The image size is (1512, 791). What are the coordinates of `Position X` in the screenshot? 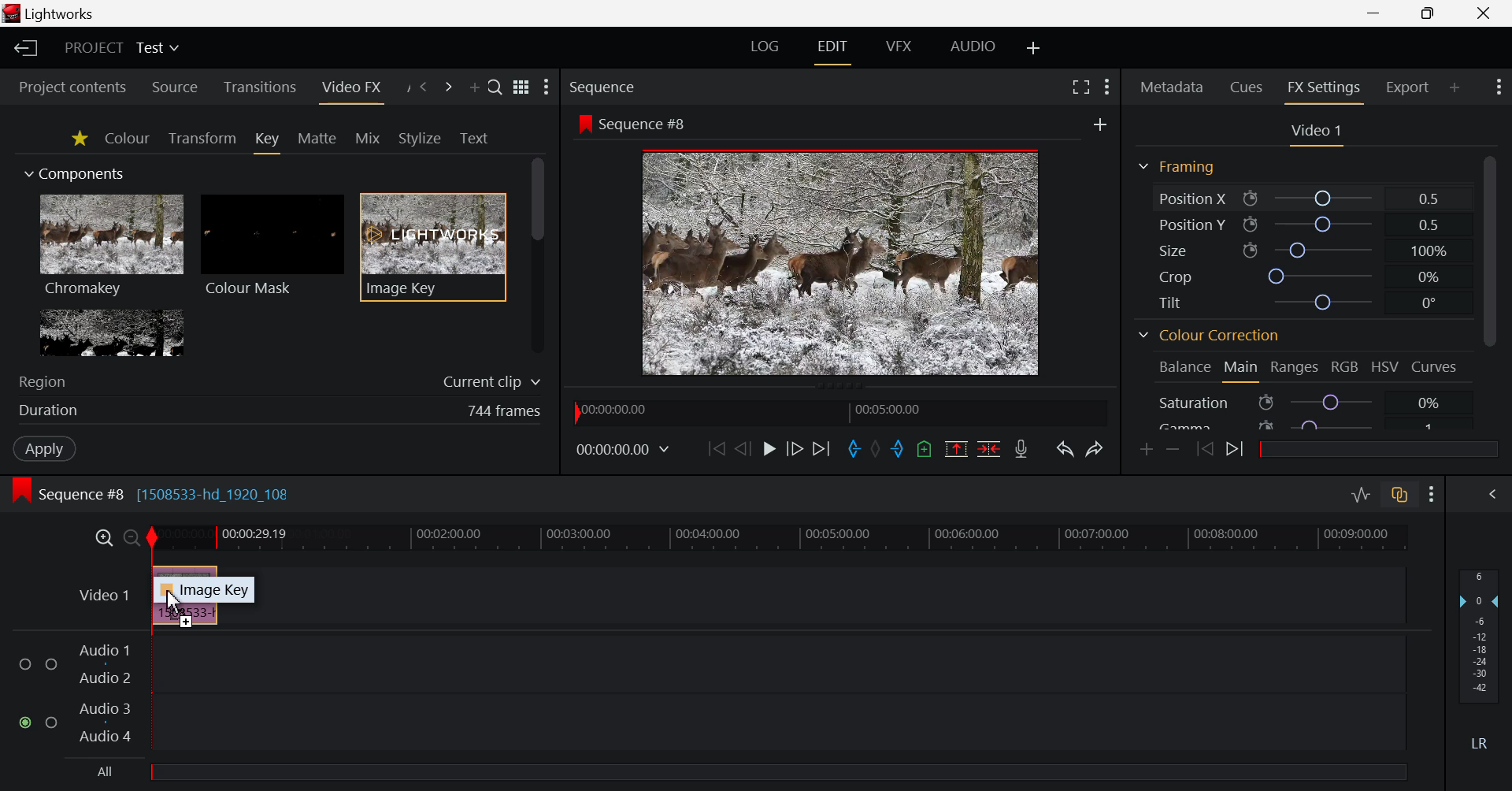 It's located at (1189, 199).